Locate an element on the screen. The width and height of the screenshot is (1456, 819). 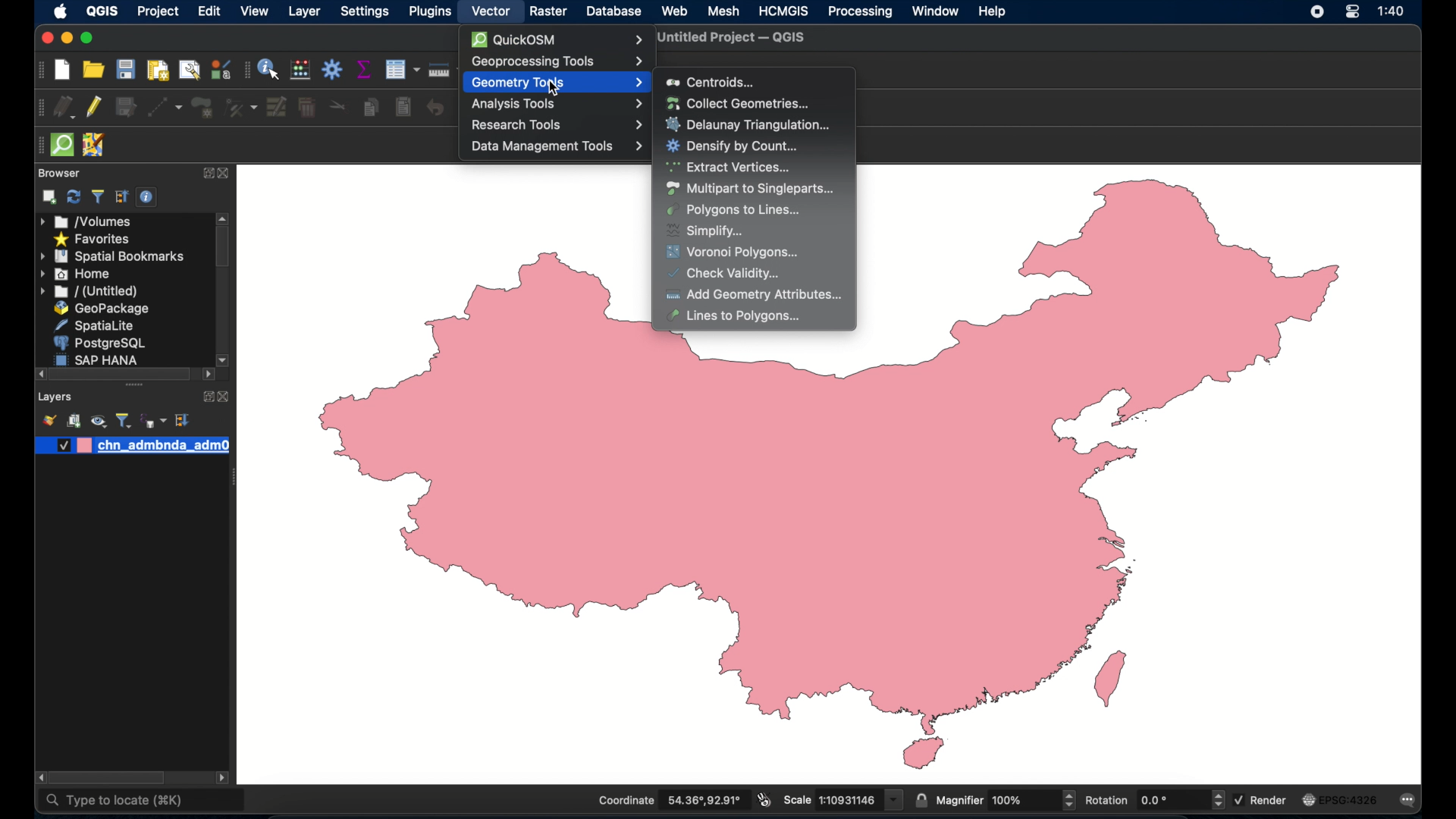
modify attributes is located at coordinates (278, 107).